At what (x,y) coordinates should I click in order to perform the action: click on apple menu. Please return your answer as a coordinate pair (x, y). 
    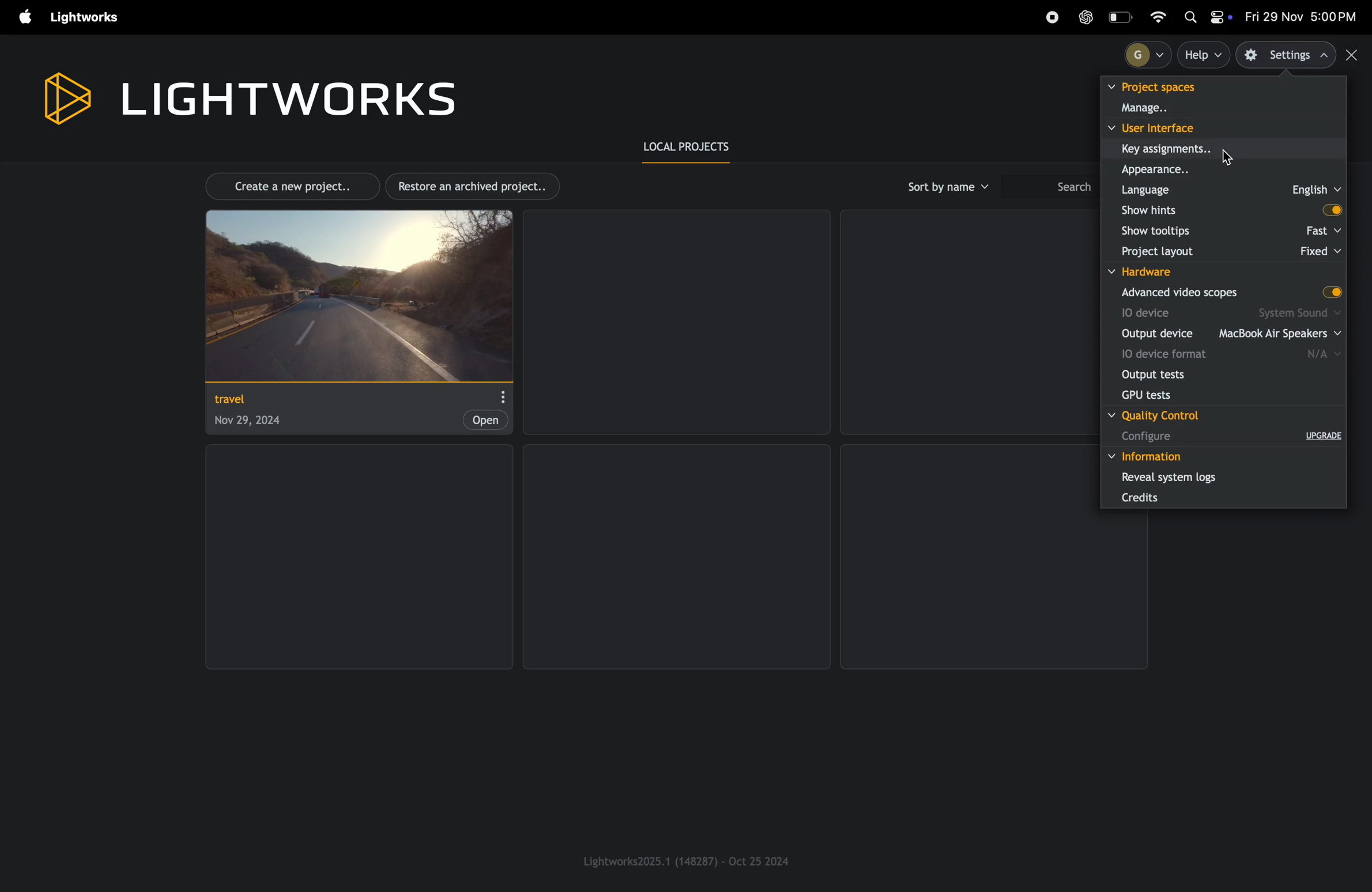
    Looking at the image, I should click on (20, 18).